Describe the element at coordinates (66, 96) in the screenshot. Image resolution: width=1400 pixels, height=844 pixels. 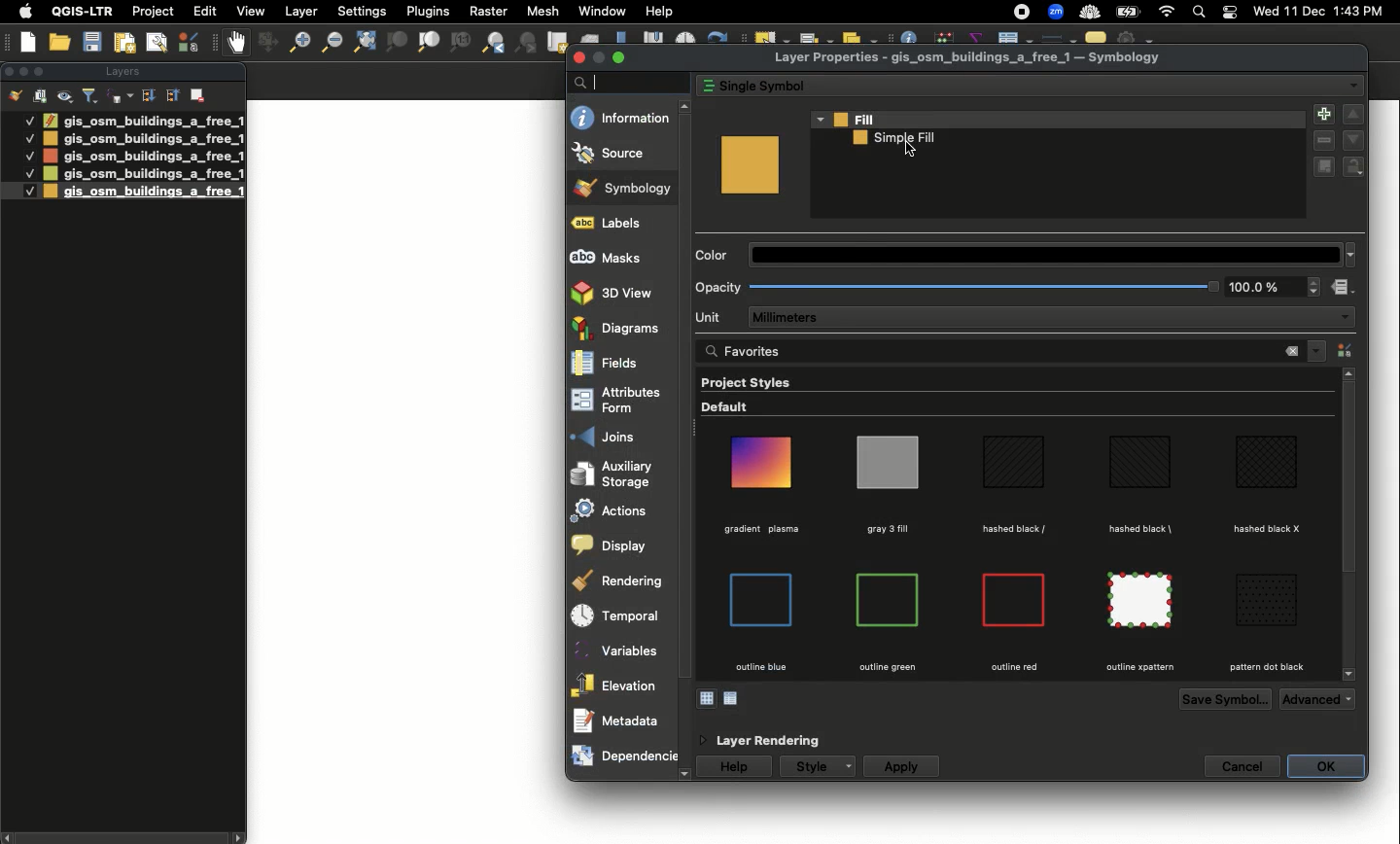
I see `Manage map themes` at that location.